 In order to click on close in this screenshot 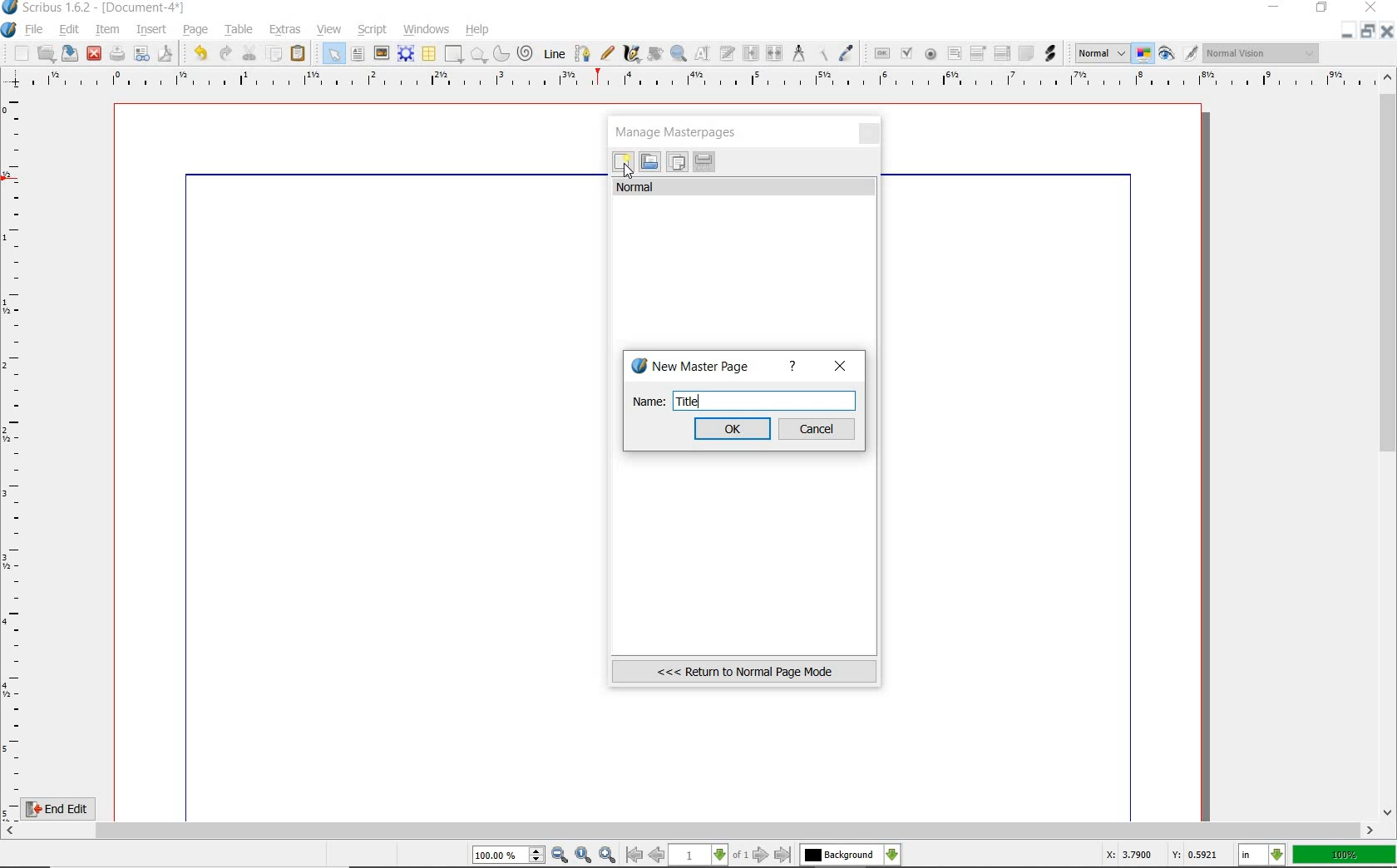, I will do `click(871, 135)`.